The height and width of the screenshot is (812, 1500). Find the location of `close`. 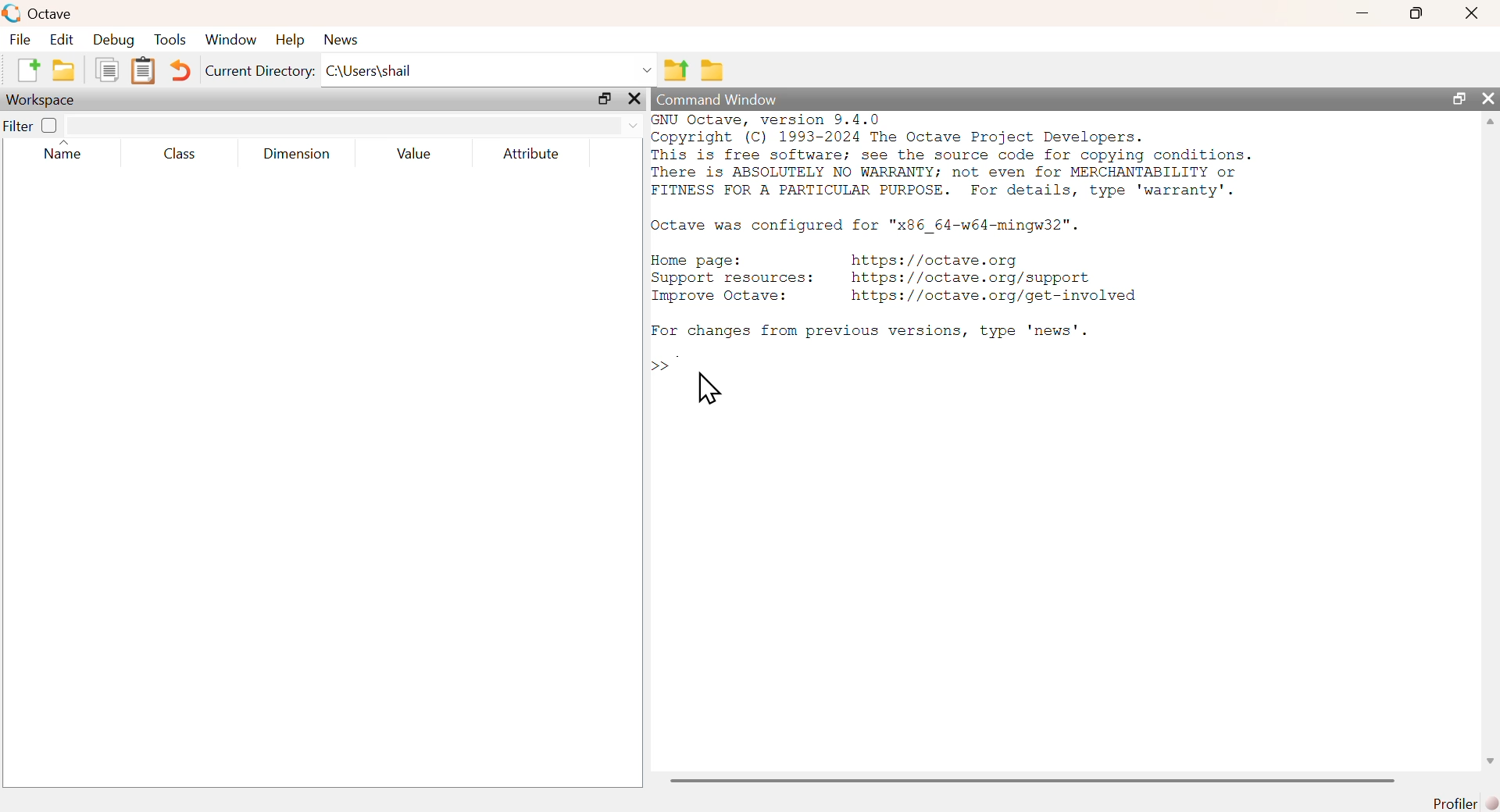

close is located at coordinates (1470, 15).